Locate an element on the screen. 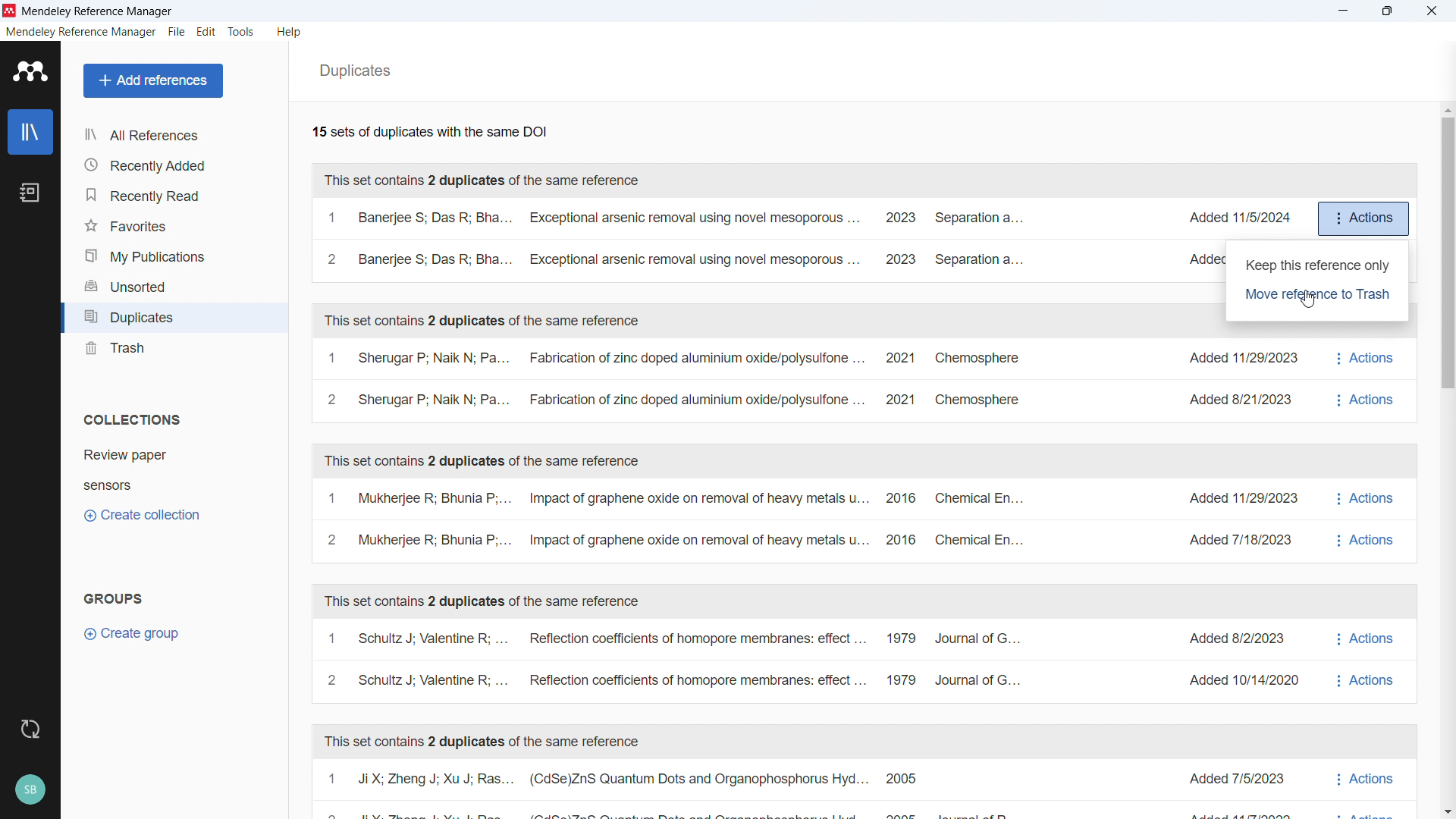 The height and width of the screenshot is (819, 1456). Added 7/5/2023 is located at coordinates (1239, 776).